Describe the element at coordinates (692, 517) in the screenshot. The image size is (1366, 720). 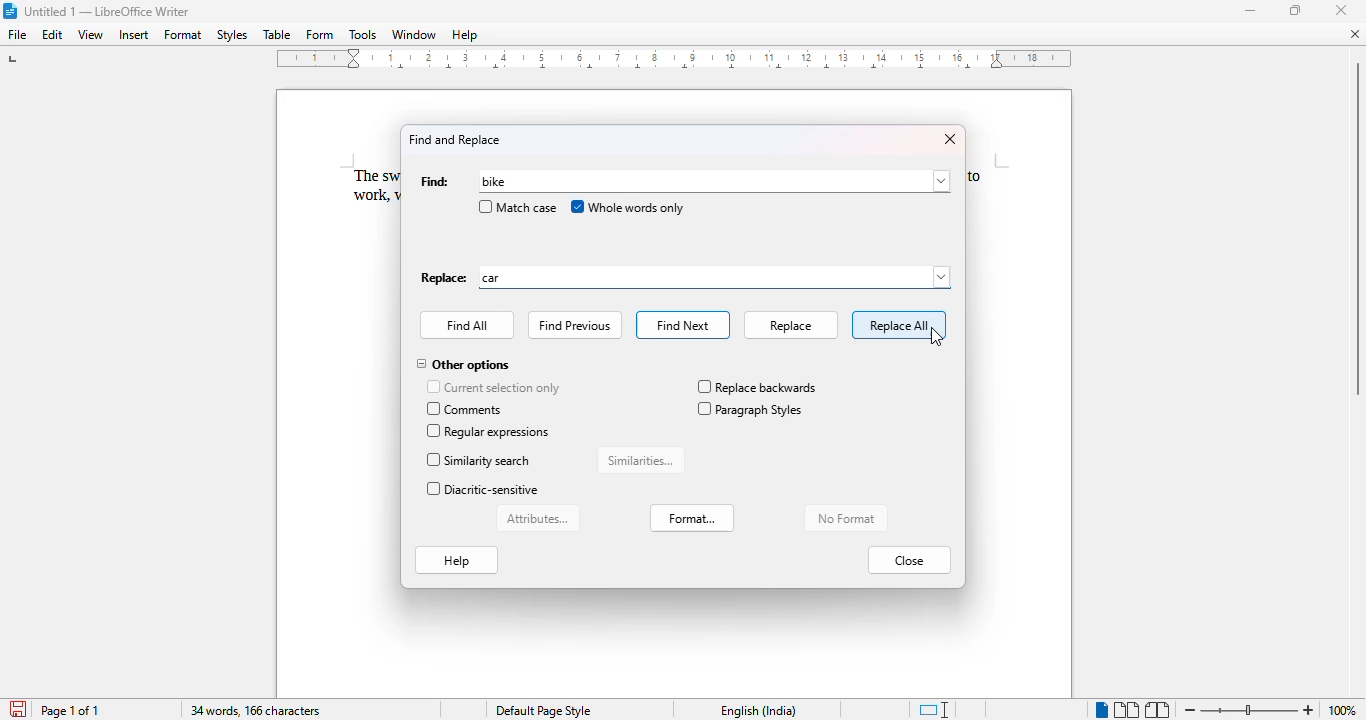
I see `format` at that location.